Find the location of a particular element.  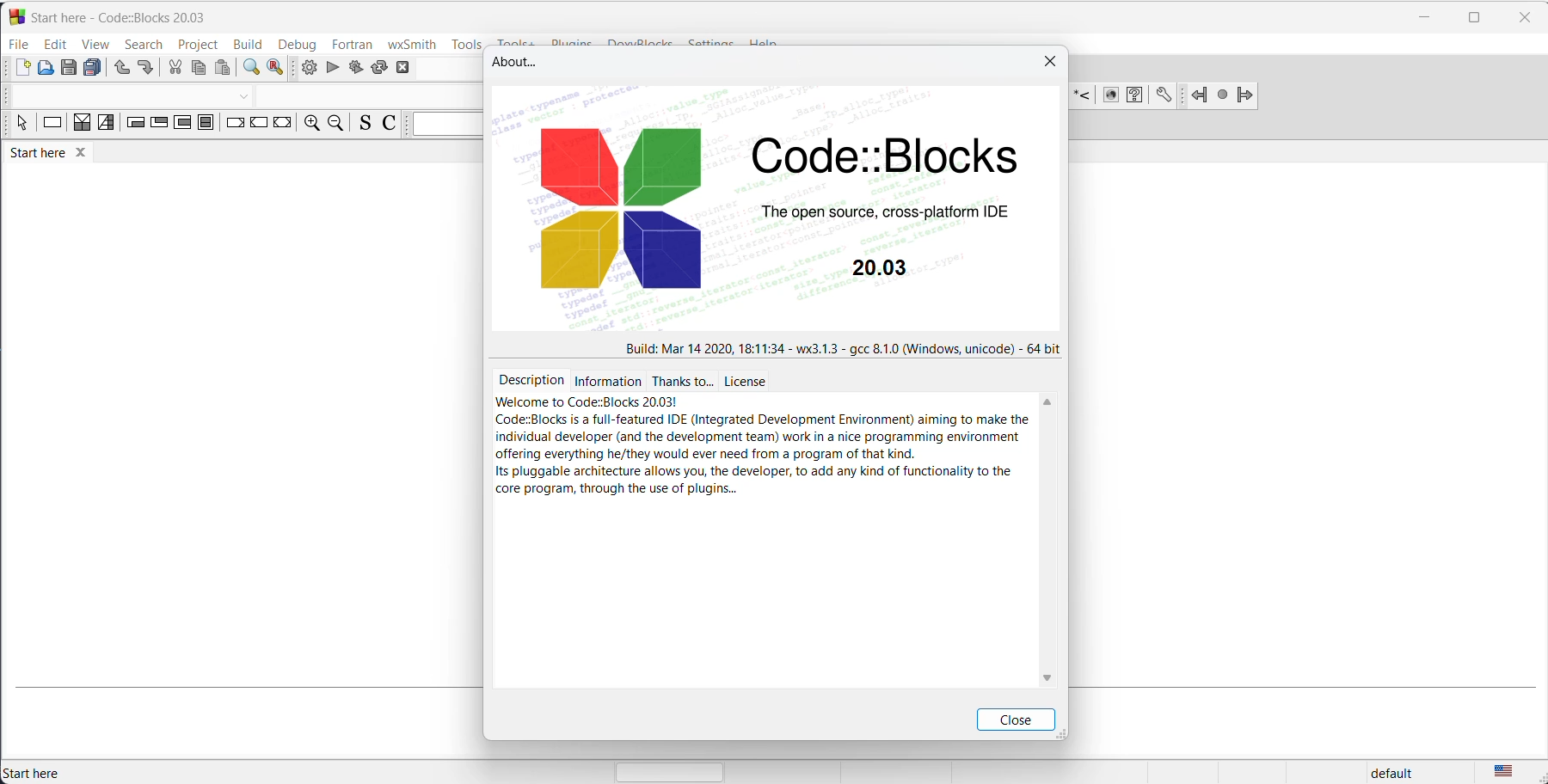

break instruction is located at coordinates (233, 126).